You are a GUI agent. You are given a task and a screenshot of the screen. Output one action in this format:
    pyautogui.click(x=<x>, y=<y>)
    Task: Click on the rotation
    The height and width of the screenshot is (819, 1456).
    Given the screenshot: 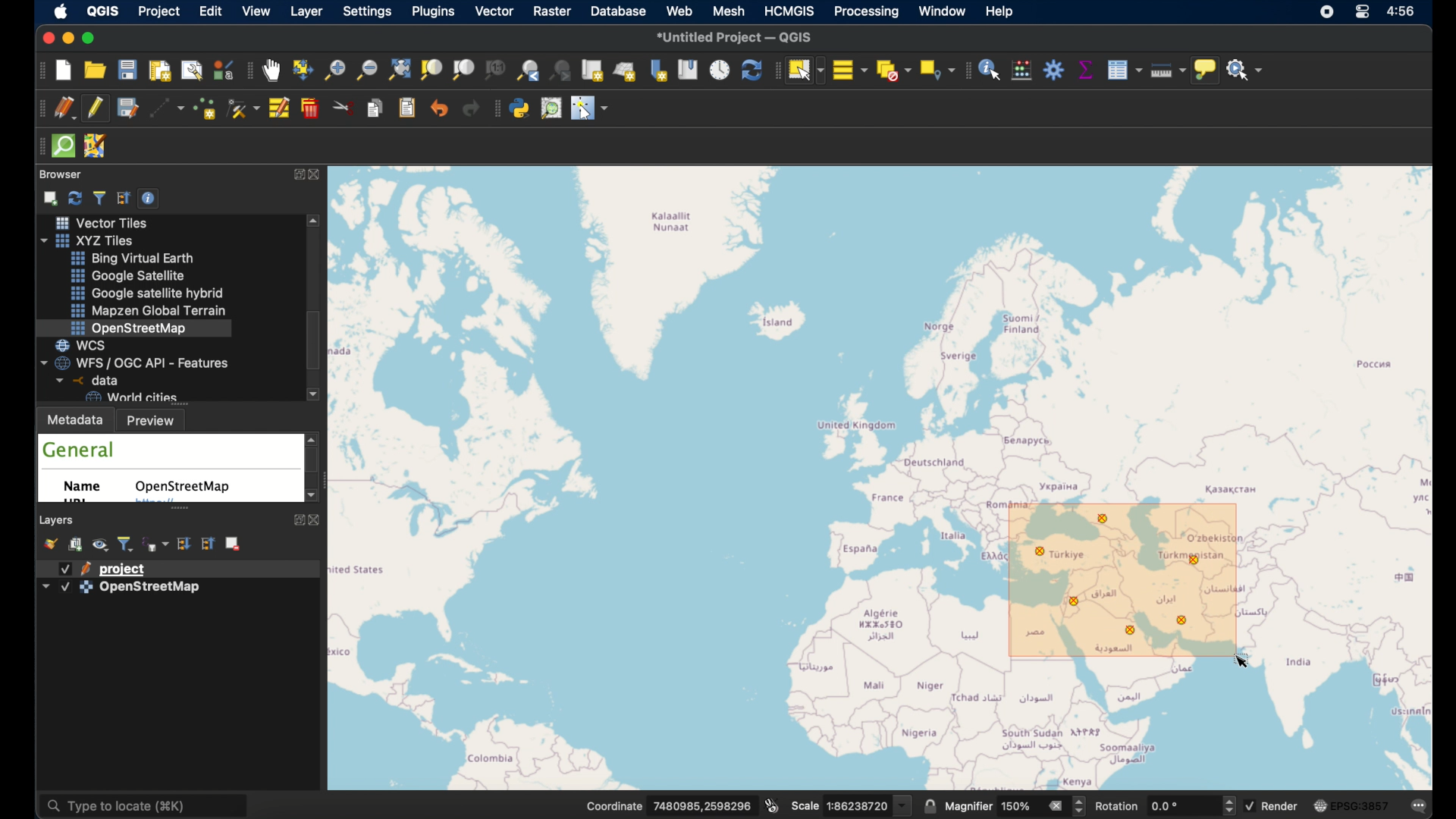 What is the action you would take?
    pyautogui.click(x=1119, y=806)
    